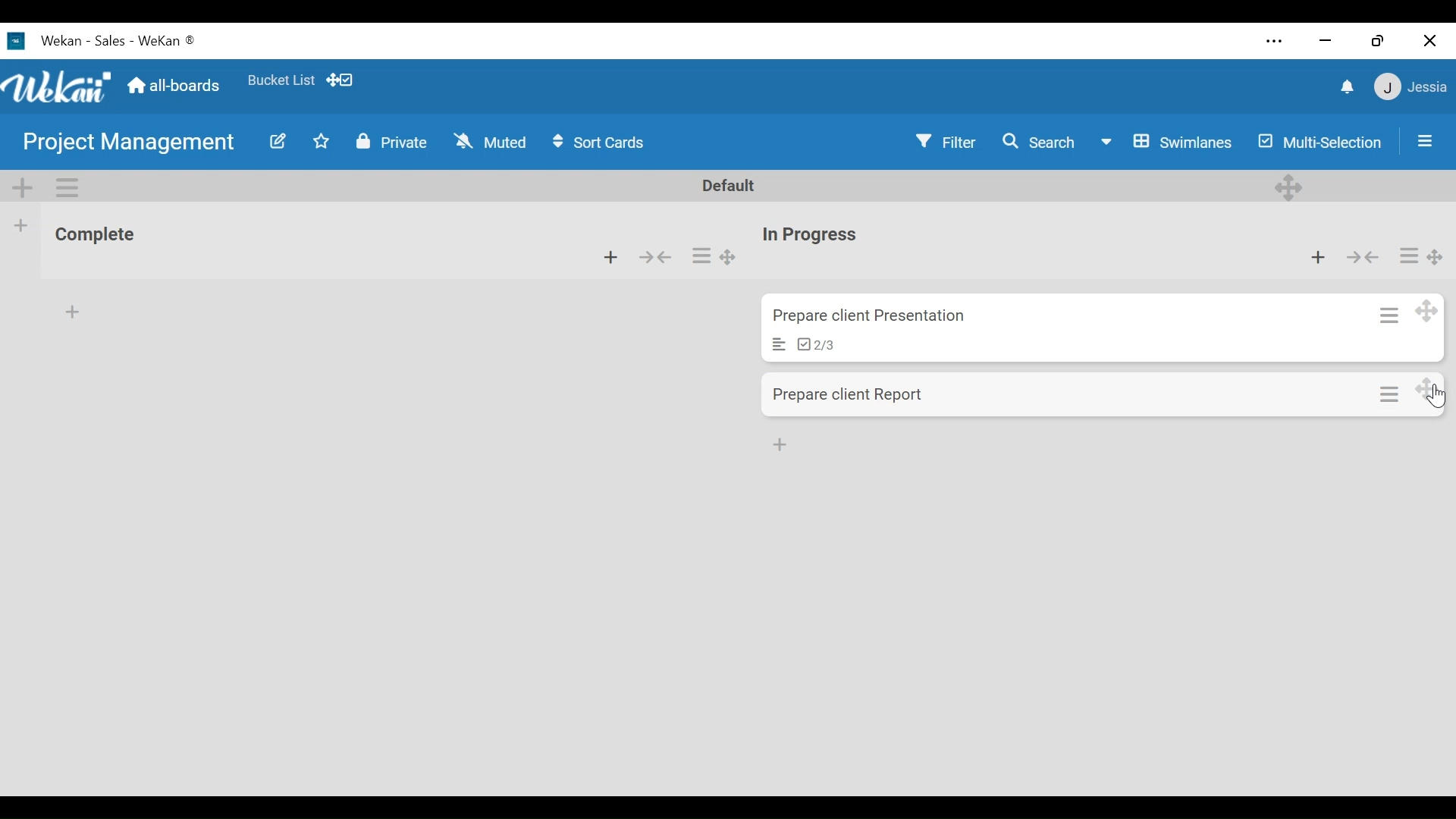  What do you see at coordinates (121, 40) in the screenshot?
I see `Wekan - Sales - Wekan` at bounding box center [121, 40].